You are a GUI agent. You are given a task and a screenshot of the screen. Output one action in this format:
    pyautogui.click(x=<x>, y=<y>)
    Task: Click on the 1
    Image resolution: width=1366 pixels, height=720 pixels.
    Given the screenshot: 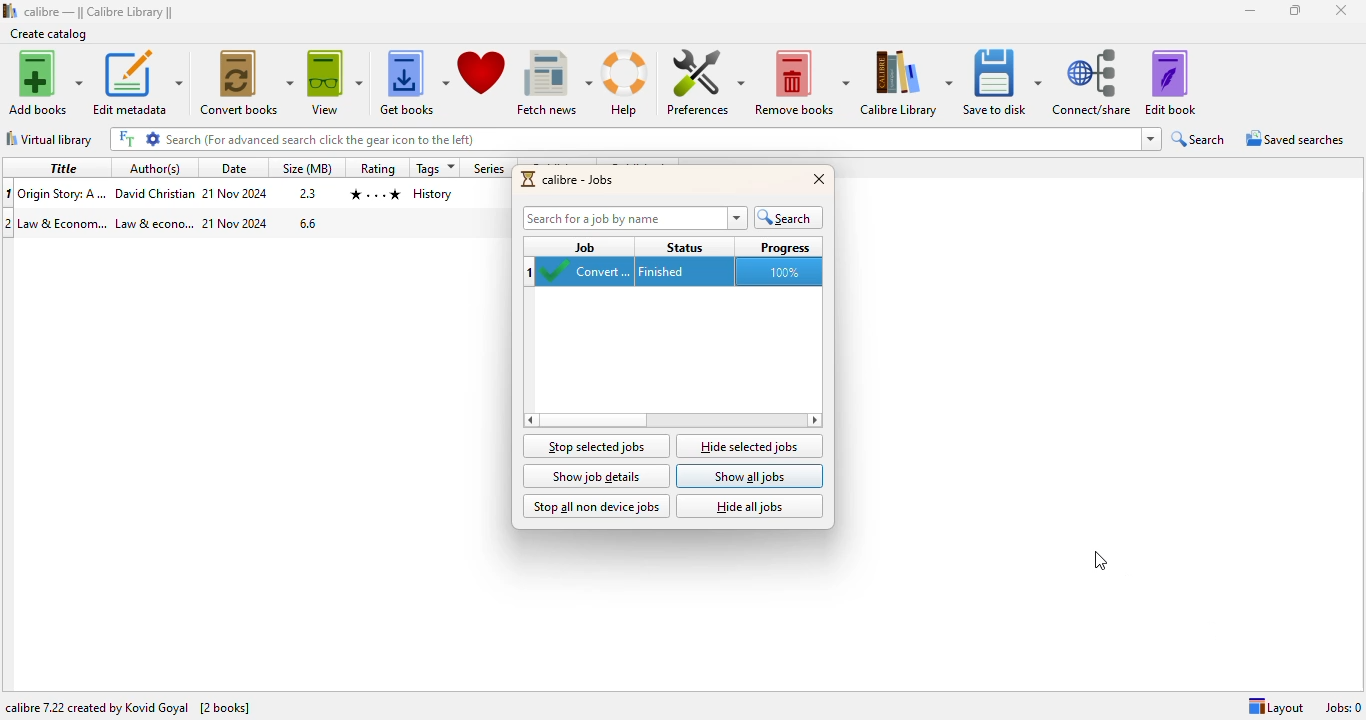 What is the action you would take?
    pyautogui.click(x=9, y=194)
    